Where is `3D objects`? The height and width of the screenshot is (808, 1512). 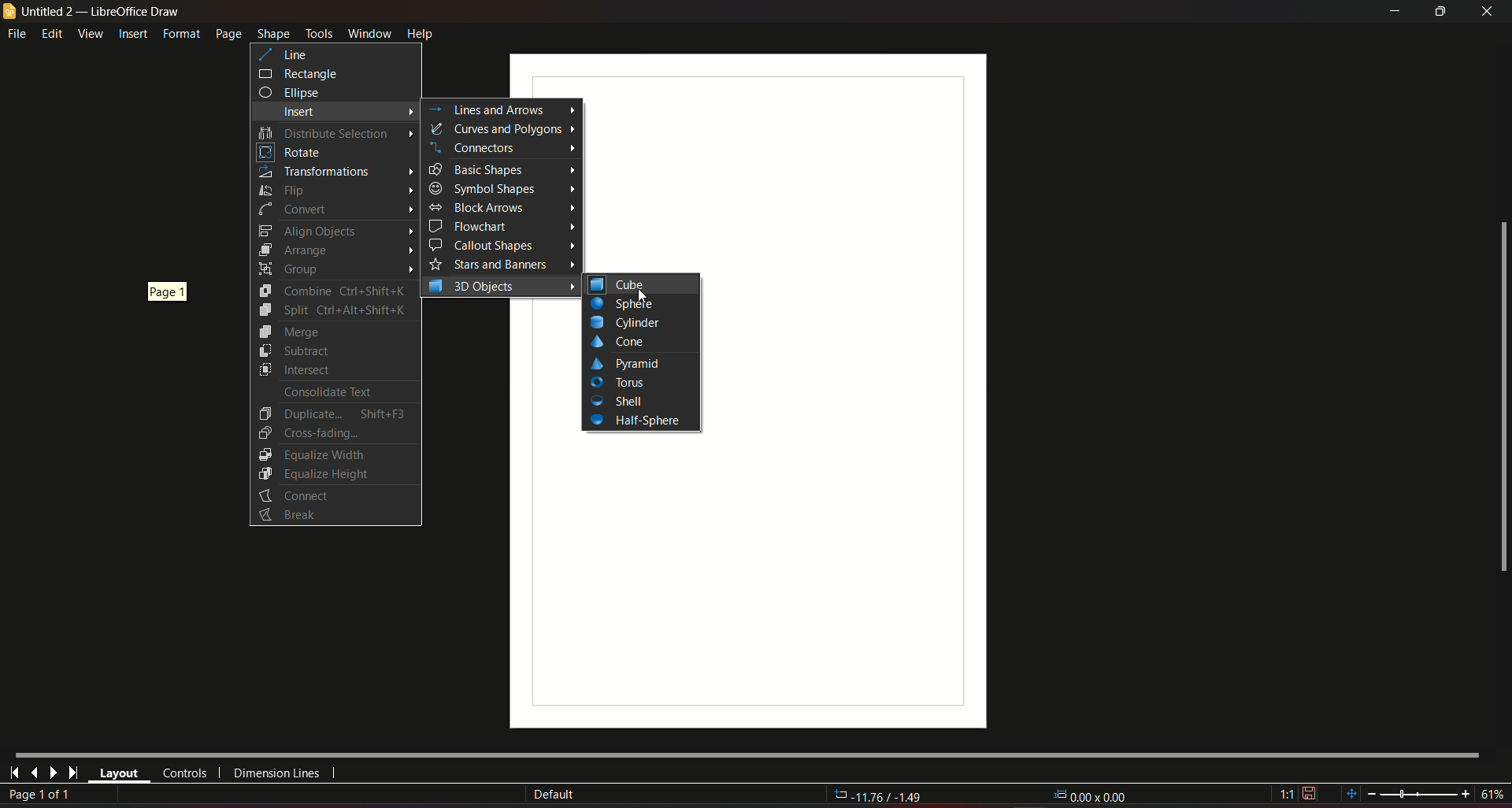 3D objects is located at coordinates (474, 287).